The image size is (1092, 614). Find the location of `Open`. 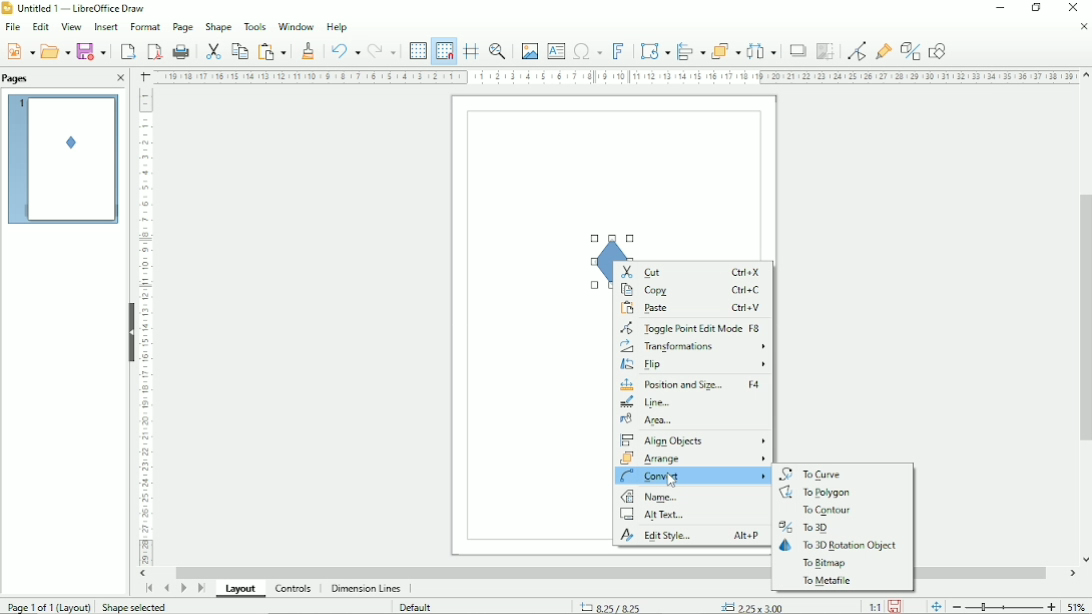

Open is located at coordinates (55, 50).